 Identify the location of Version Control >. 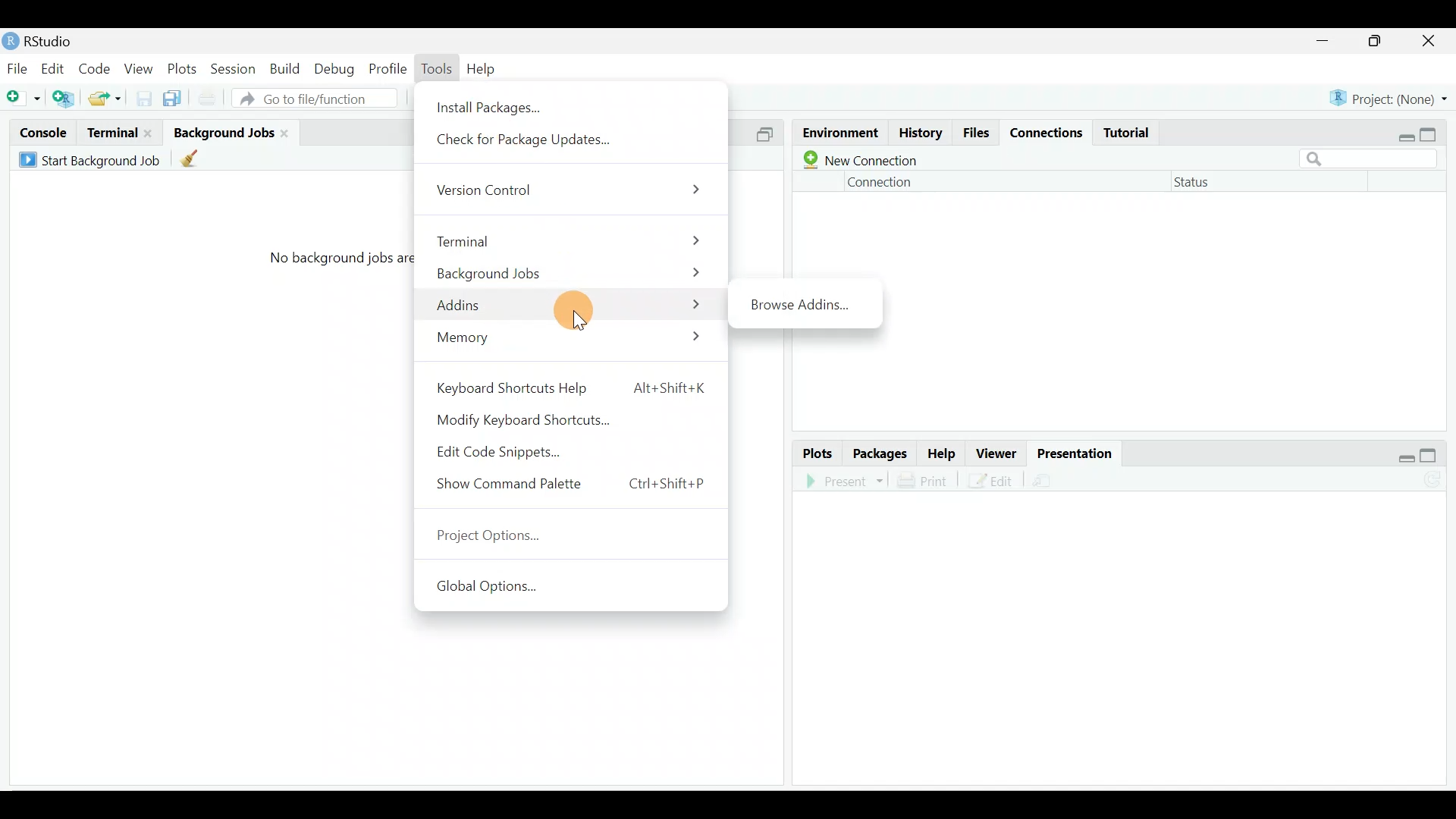
(573, 191).